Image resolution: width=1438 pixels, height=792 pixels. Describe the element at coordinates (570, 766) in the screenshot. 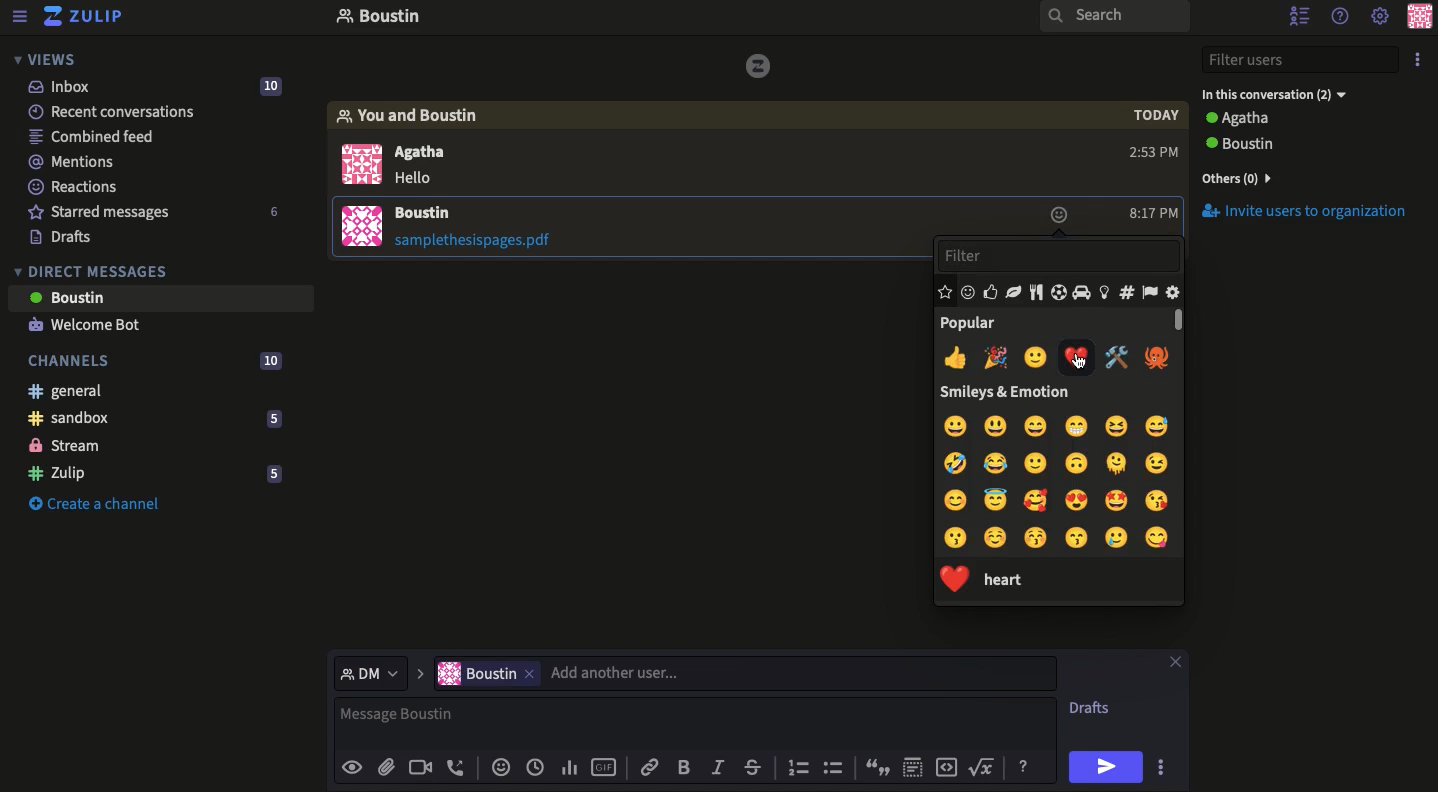

I see `Chart` at that location.